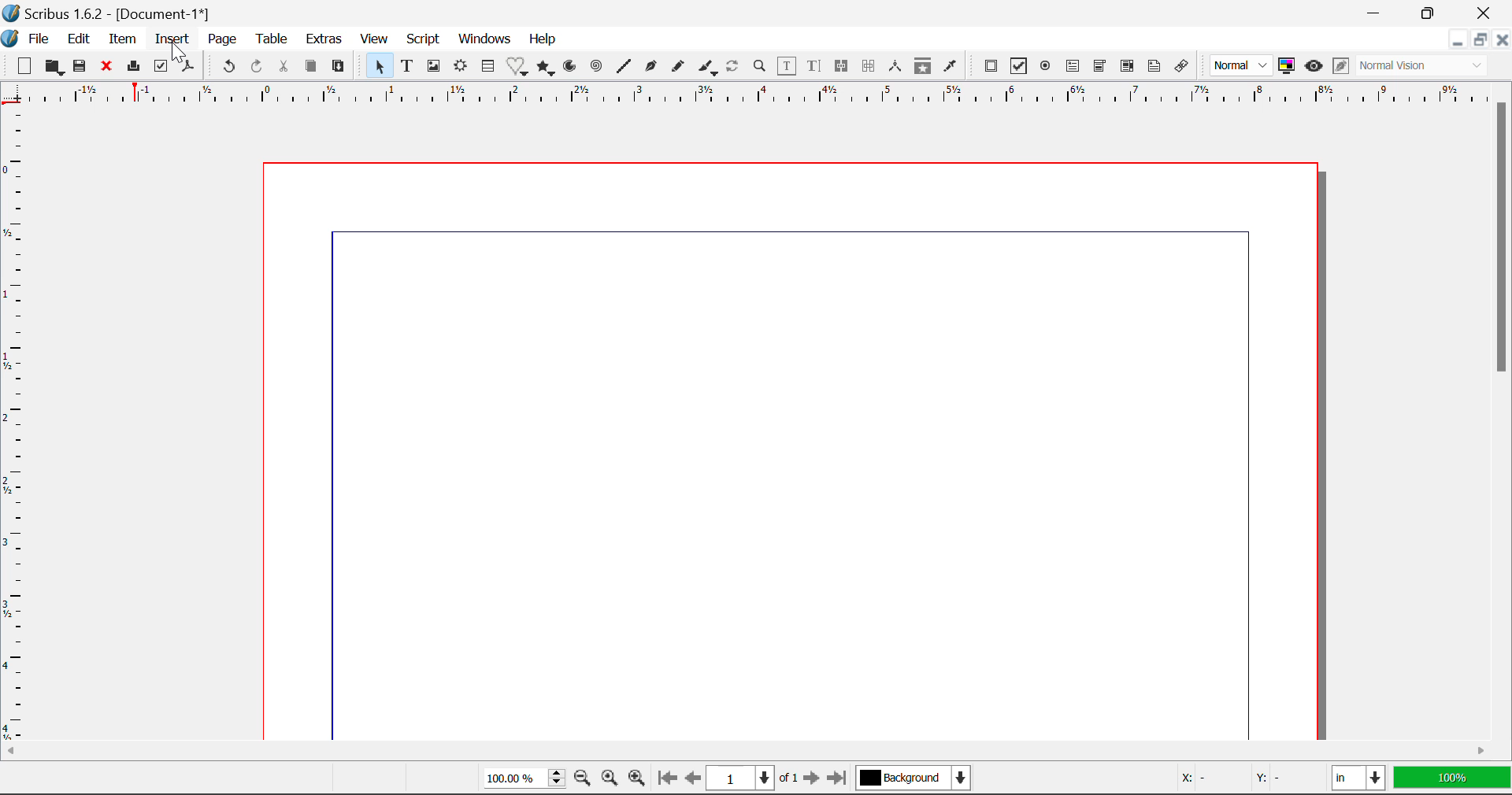 This screenshot has width=1512, height=795. Describe the element at coordinates (327, 40) in the screenshot. I see `Extras` at that location.